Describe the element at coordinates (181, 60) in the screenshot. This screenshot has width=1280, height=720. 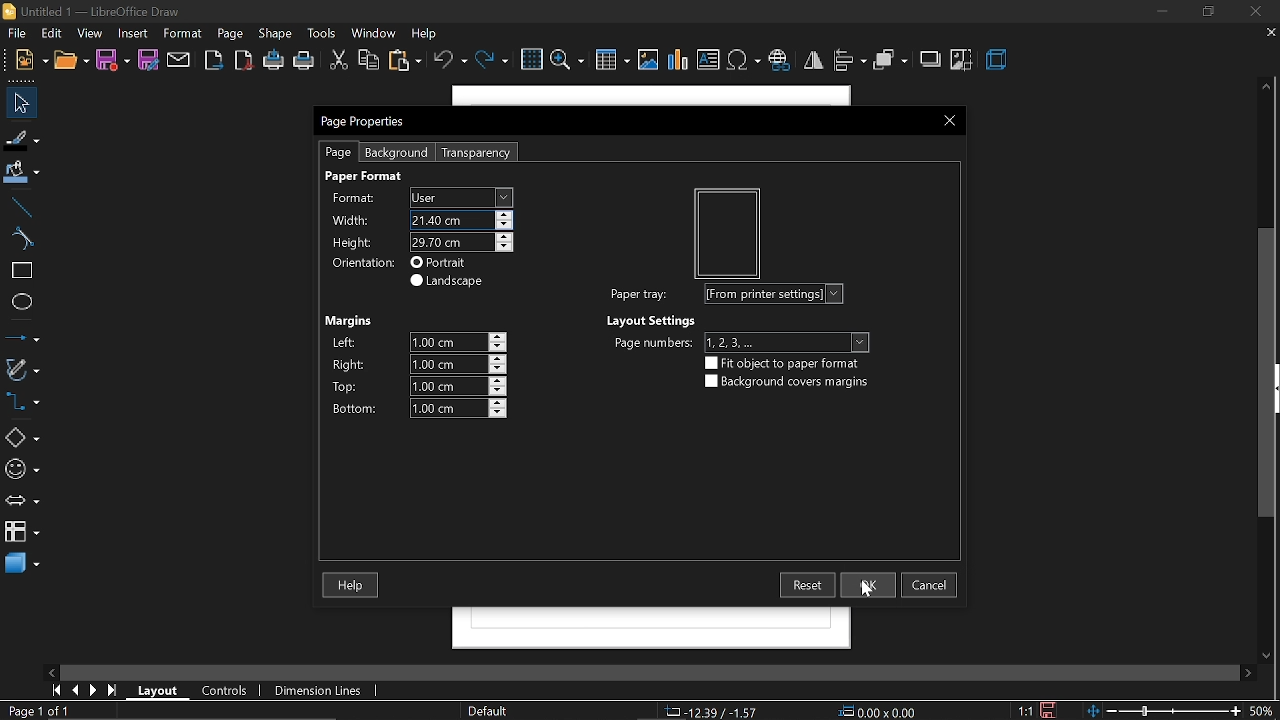
I see `attach` at that location.